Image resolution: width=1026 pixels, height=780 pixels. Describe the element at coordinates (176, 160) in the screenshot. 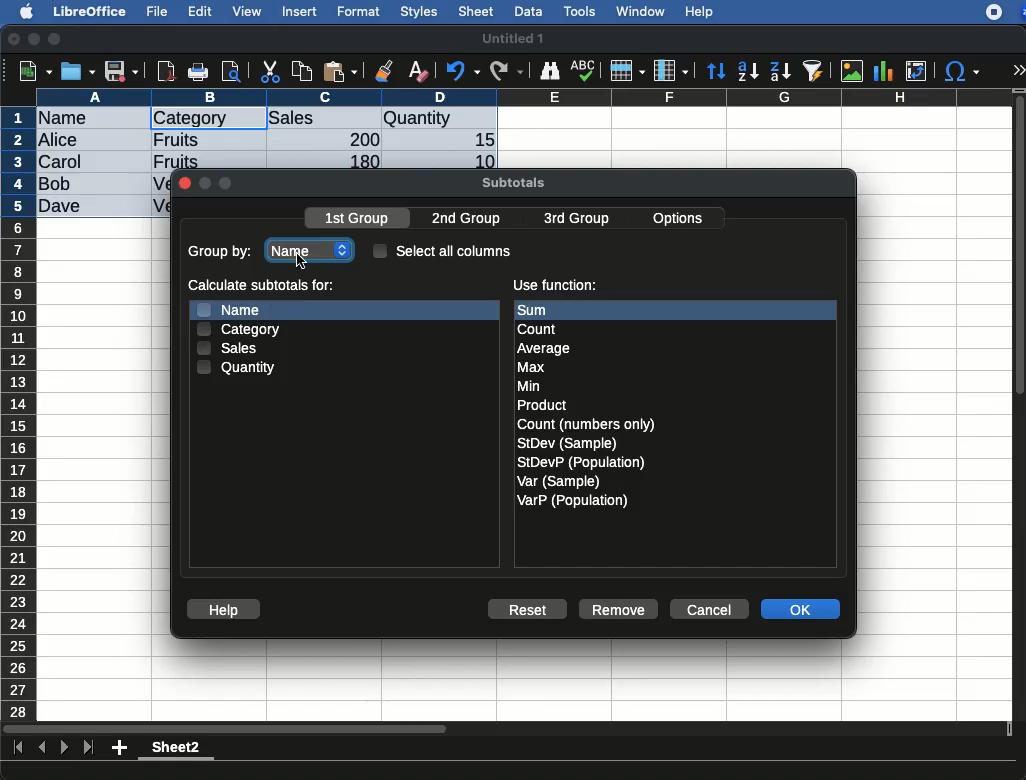

I see `Fruits` at that location.